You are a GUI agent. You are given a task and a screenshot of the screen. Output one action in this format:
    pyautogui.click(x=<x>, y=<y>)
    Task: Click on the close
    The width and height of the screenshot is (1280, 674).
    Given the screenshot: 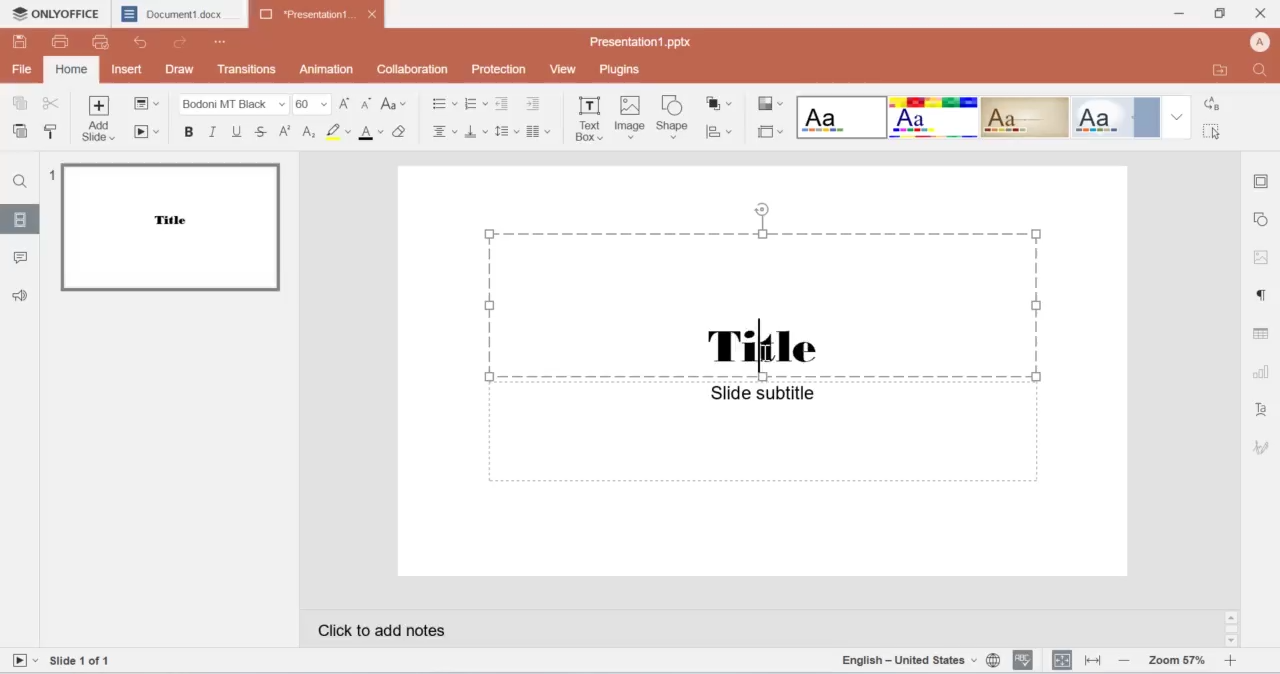 What is the action you would take?
    pyautogui.click(x=1262, y=11)
    